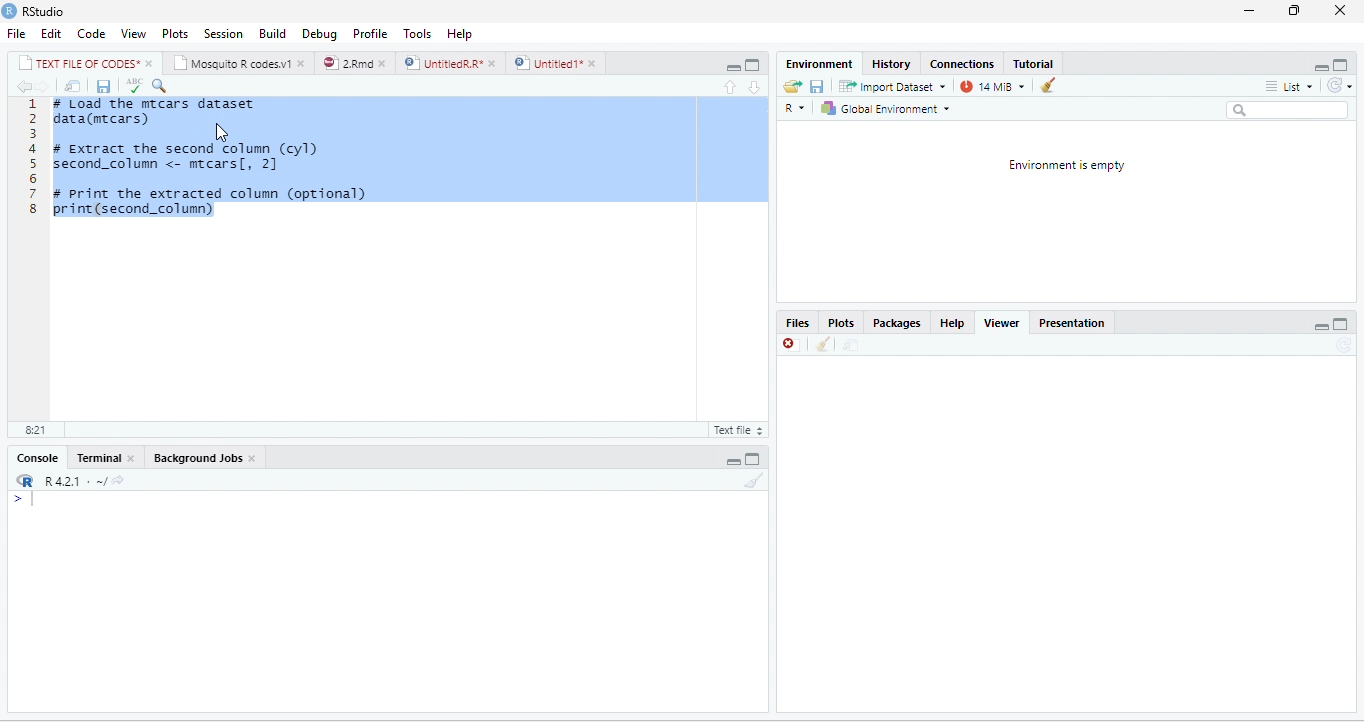 The width and height of the screenshot is (1364, 722). I want to click on save , so click(818, 86).